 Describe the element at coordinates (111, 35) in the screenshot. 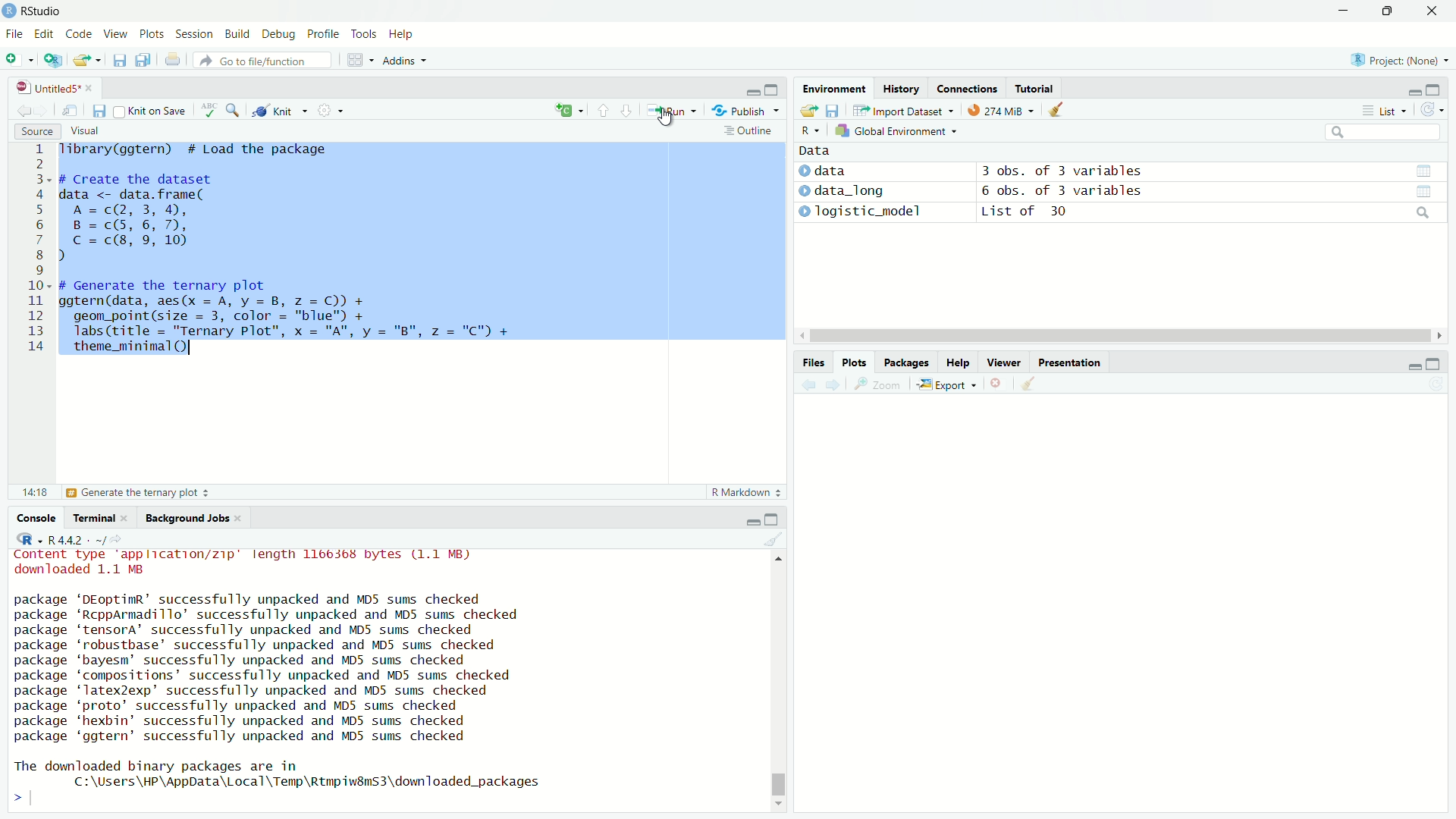

I see `View` at that location.